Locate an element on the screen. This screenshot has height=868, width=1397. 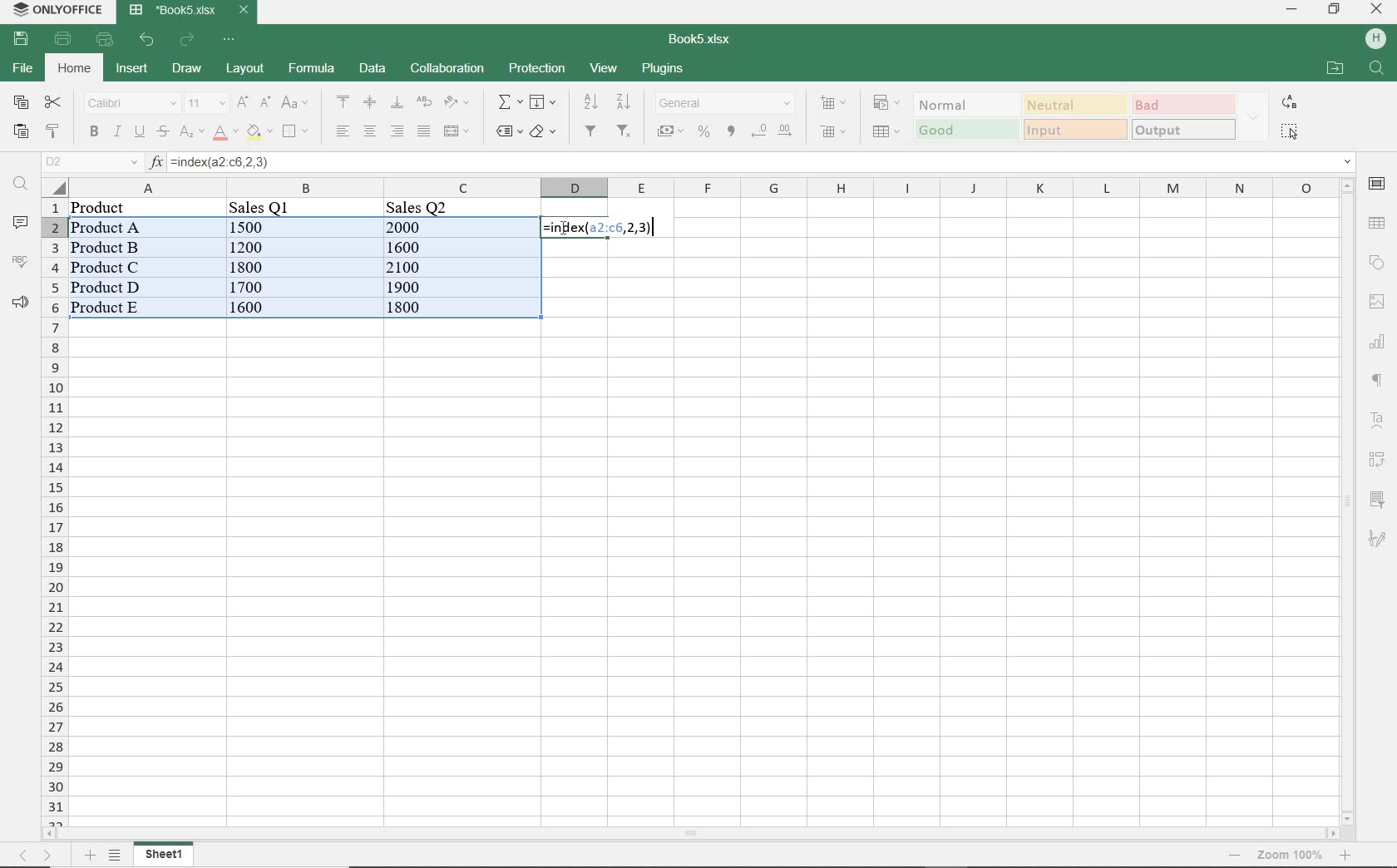
input is located at coordinates (1075, 130).